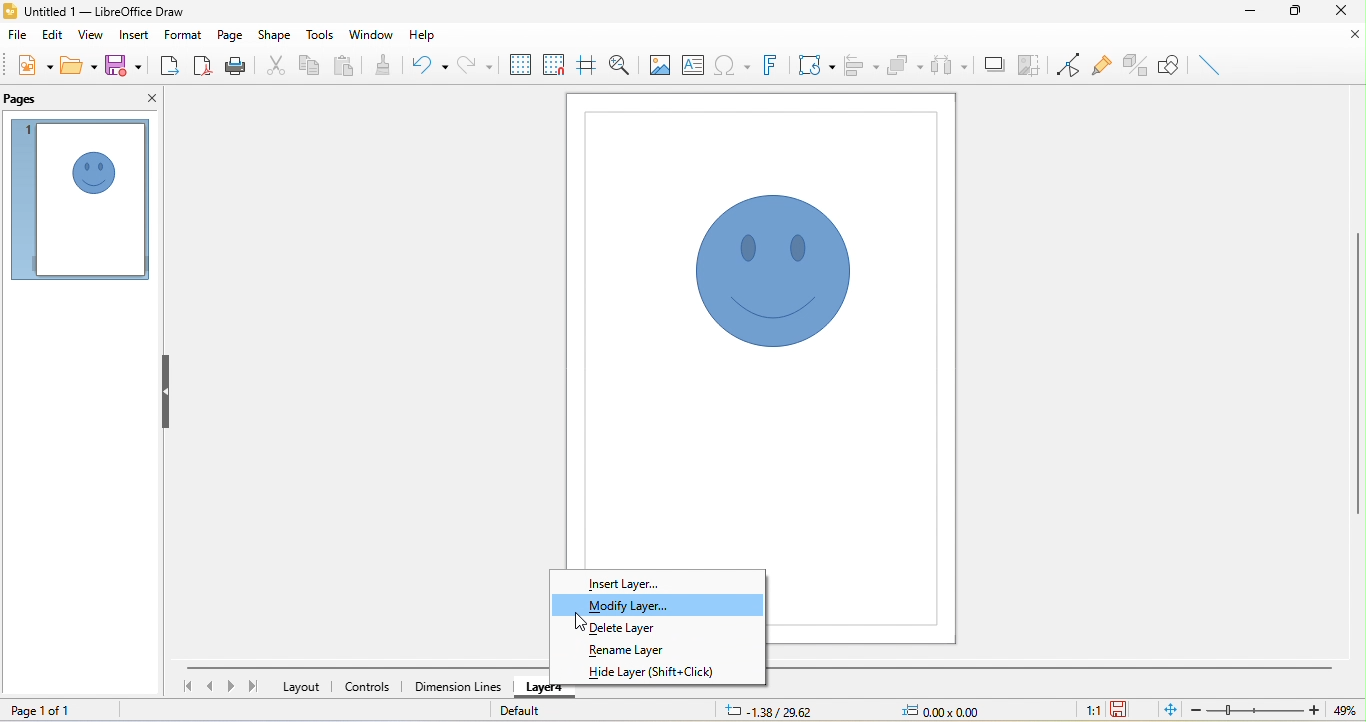 This screenshot has height=722, width=1366. I want to click on print, so click(236, 65).